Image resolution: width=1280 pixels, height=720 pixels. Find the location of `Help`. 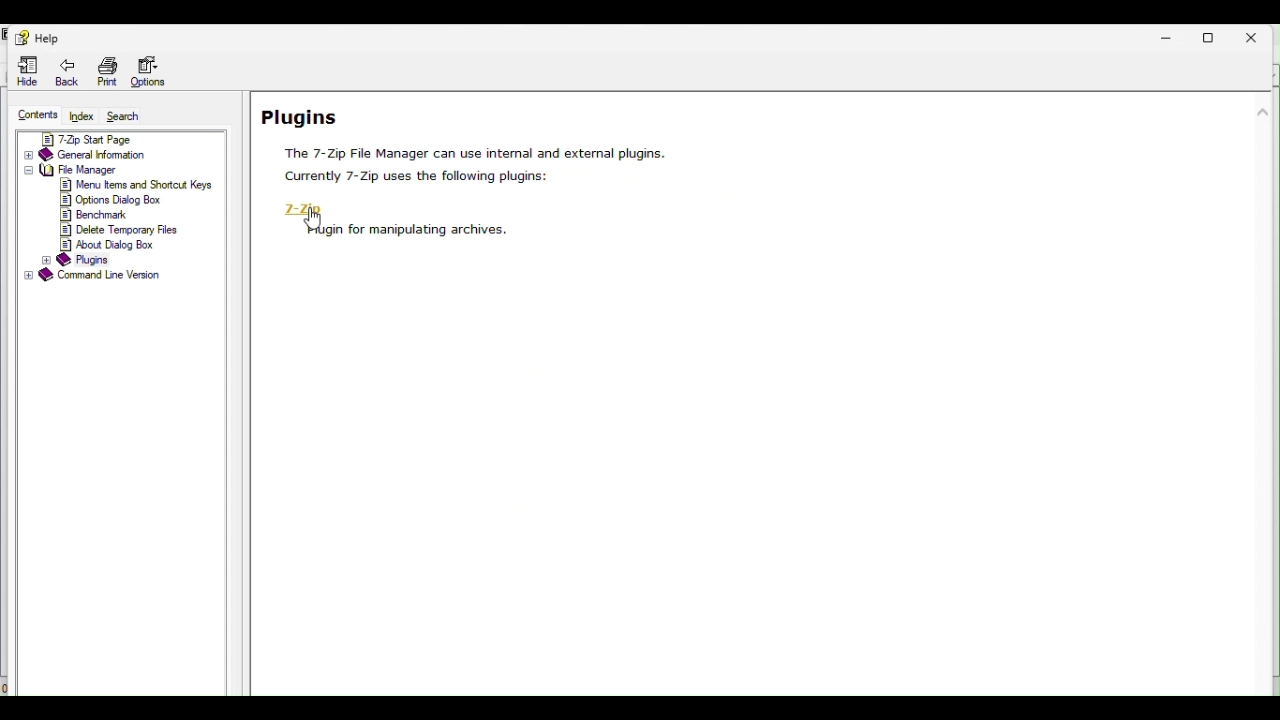

Help is located at coordinates (33, 35).